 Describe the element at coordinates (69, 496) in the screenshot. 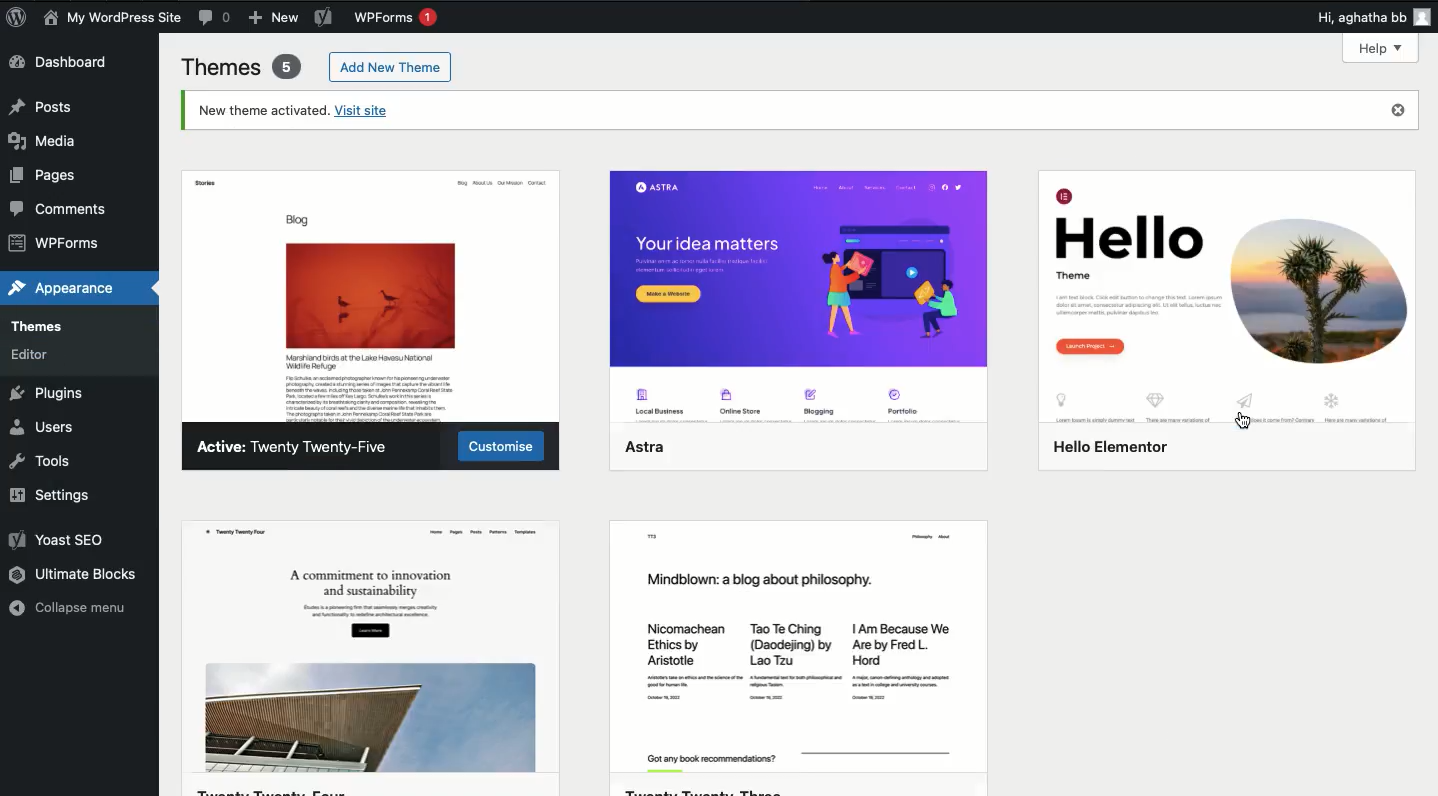

I see `Settings` at that location.